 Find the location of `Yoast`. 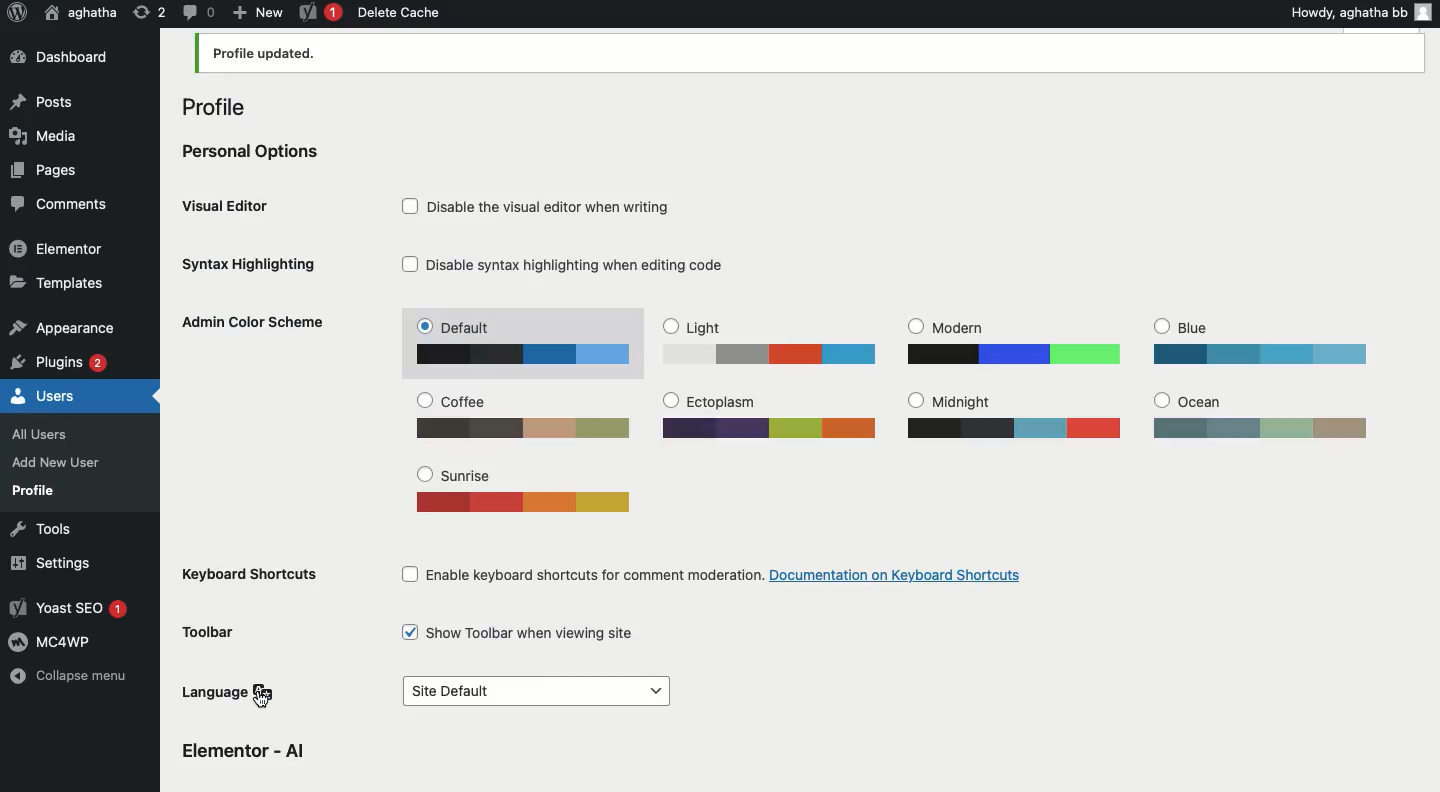

Yoast is located at coordinates (321, 14).